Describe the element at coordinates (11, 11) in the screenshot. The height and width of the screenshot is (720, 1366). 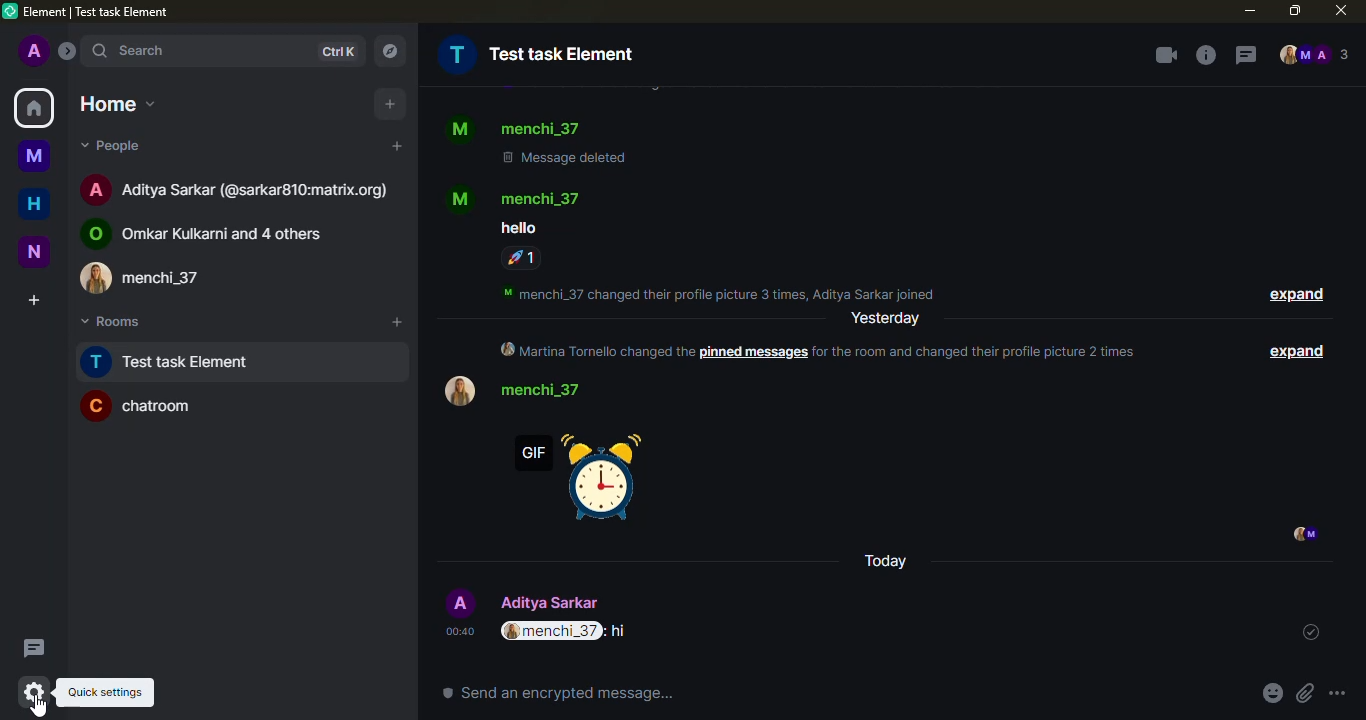
I see `logo` at that location.